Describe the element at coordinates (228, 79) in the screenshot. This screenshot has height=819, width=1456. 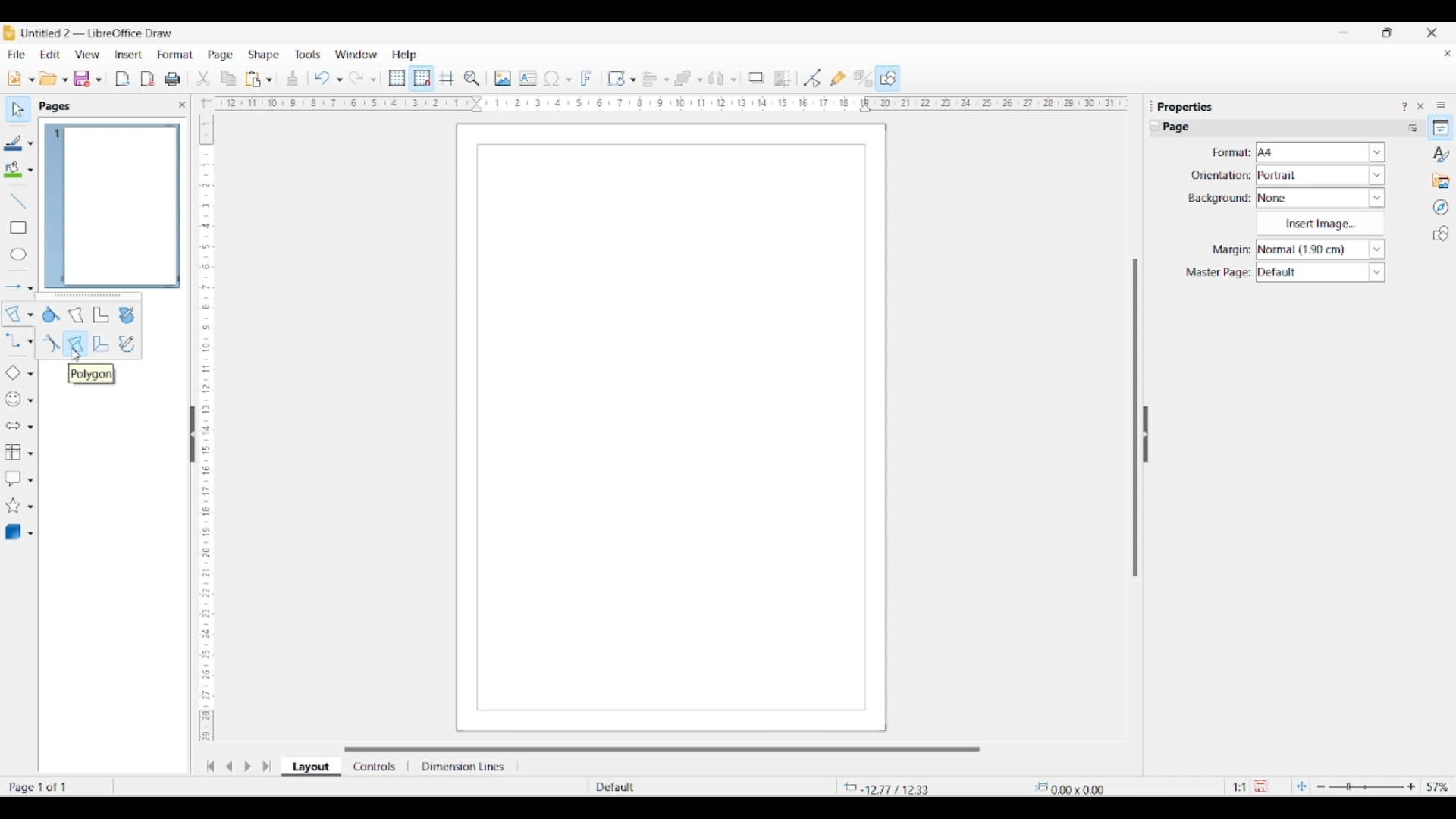
I see `Selected copy options` at that location.